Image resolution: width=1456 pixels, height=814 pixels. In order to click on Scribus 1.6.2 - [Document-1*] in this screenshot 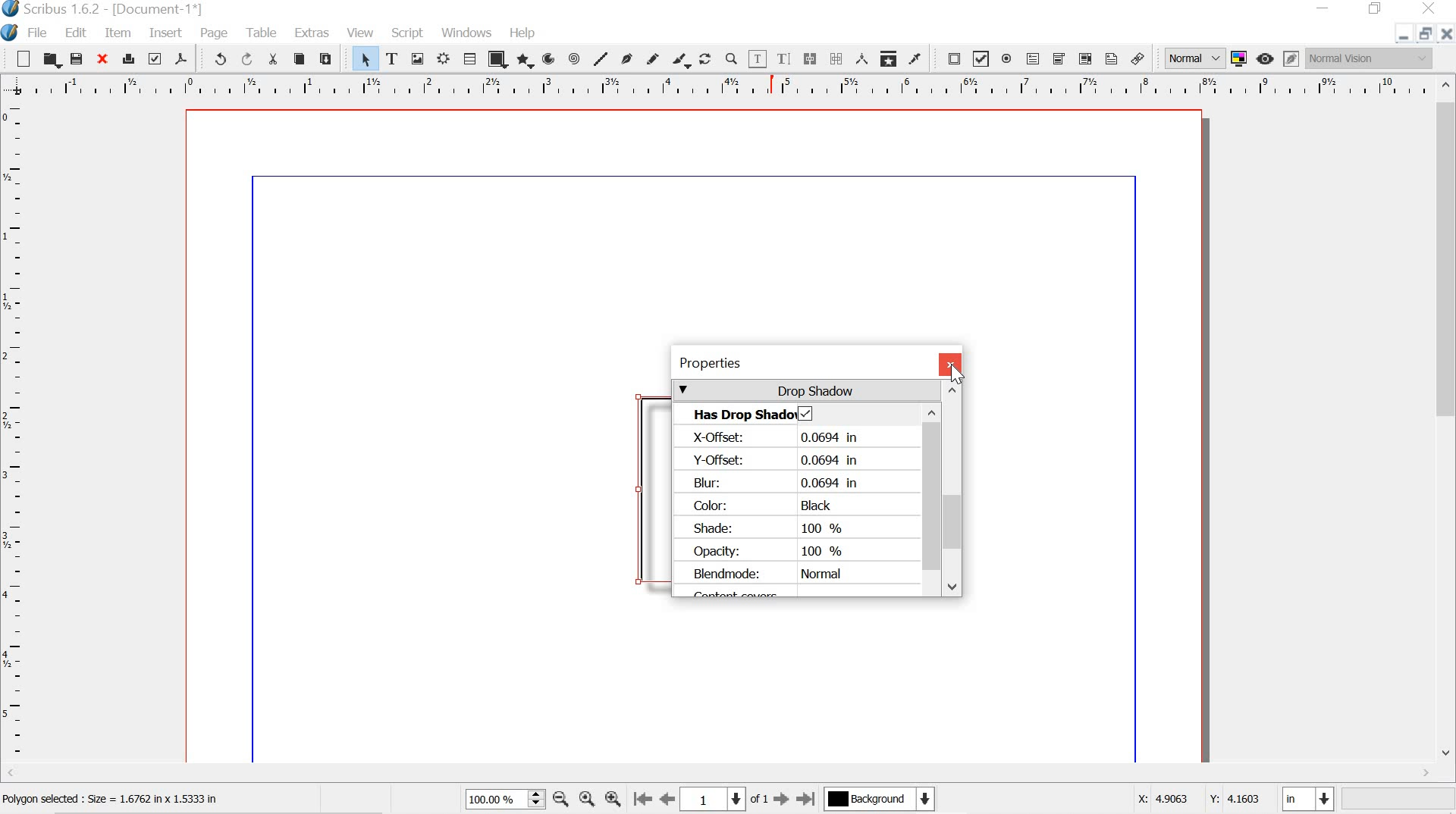, I will do `click(115, 10)`.